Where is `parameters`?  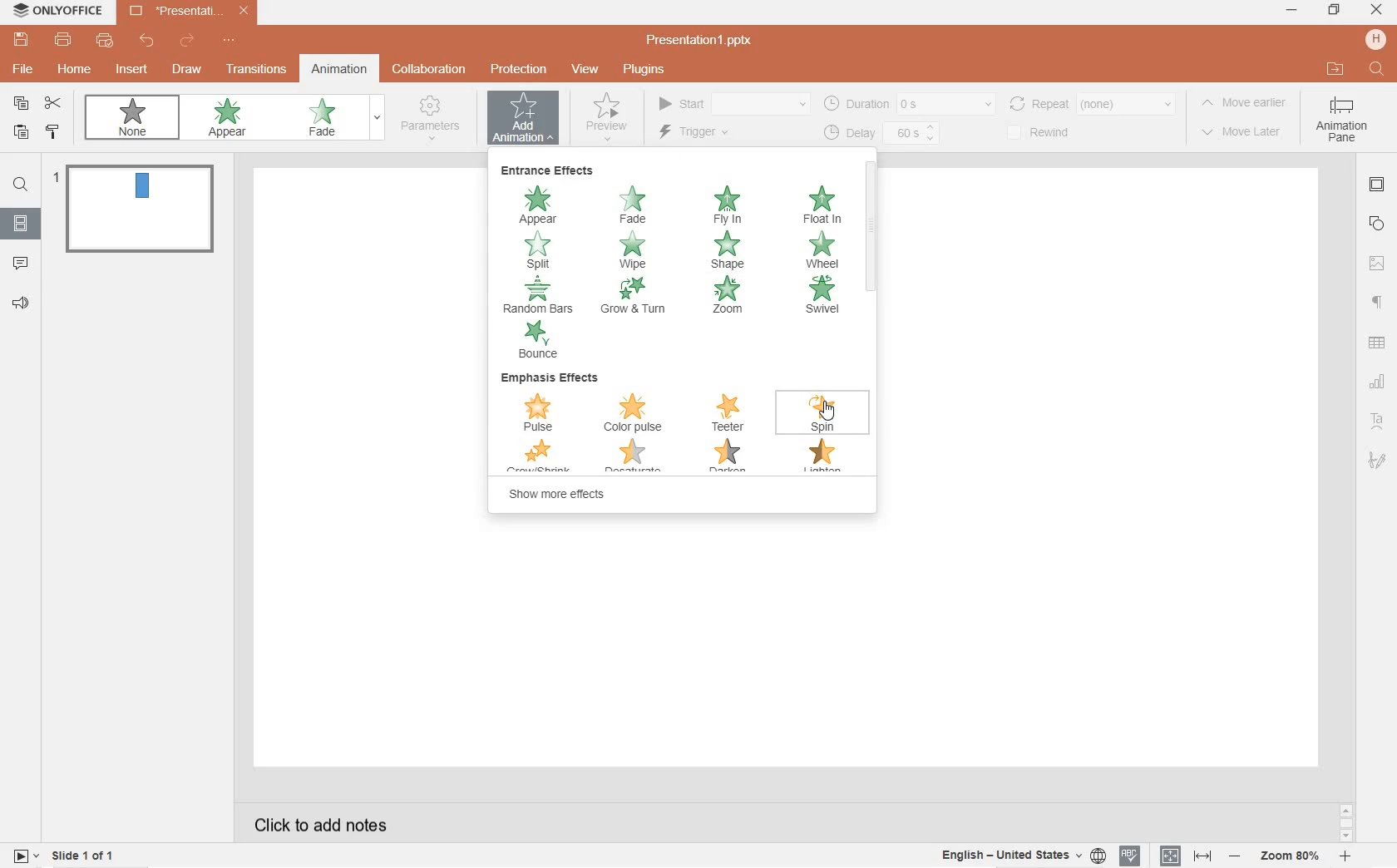 parameters is located at coordinates (433, 121).